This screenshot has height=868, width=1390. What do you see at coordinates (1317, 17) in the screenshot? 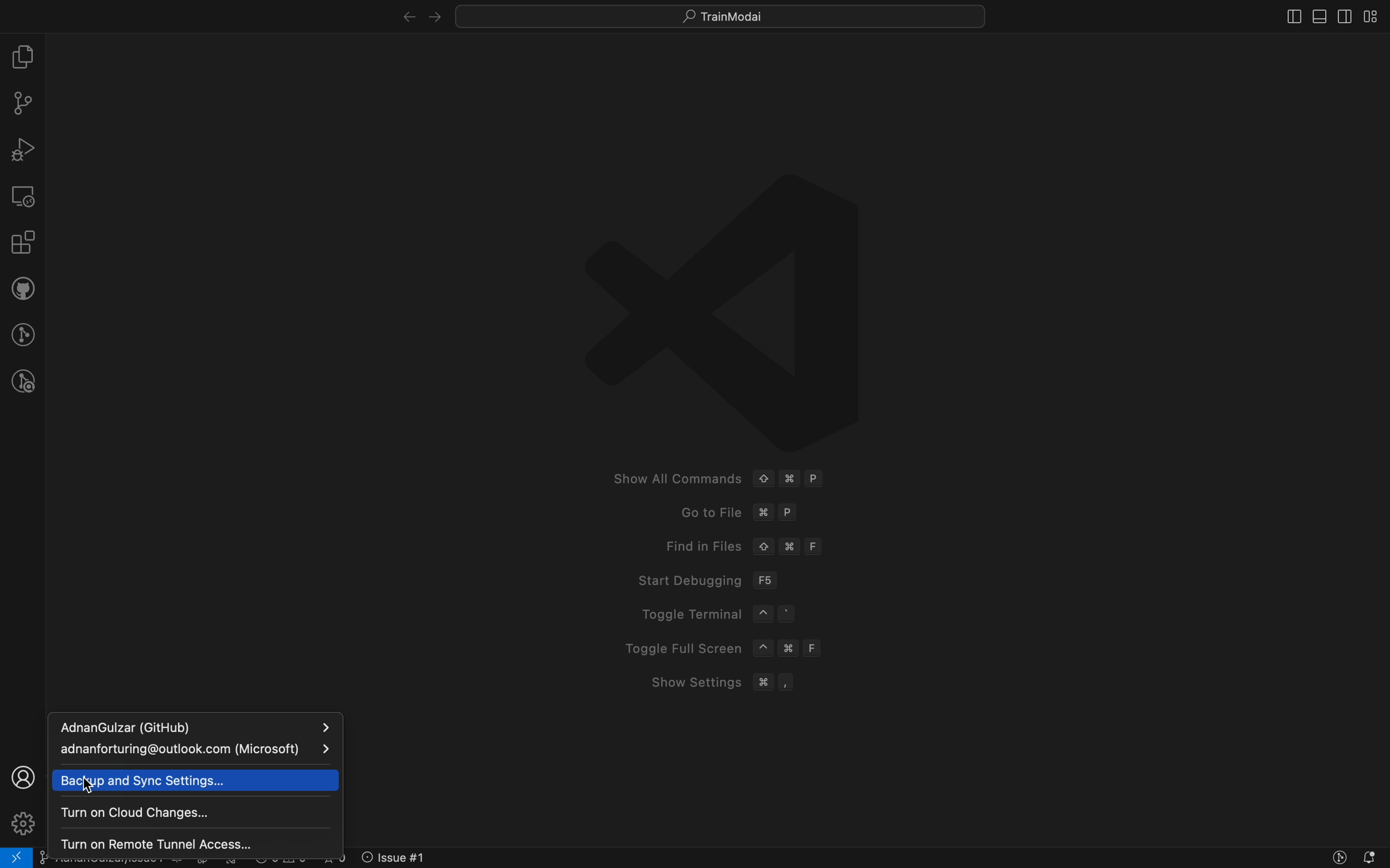
I see `toog;e primary bar` at bounding box center [1317, 17].